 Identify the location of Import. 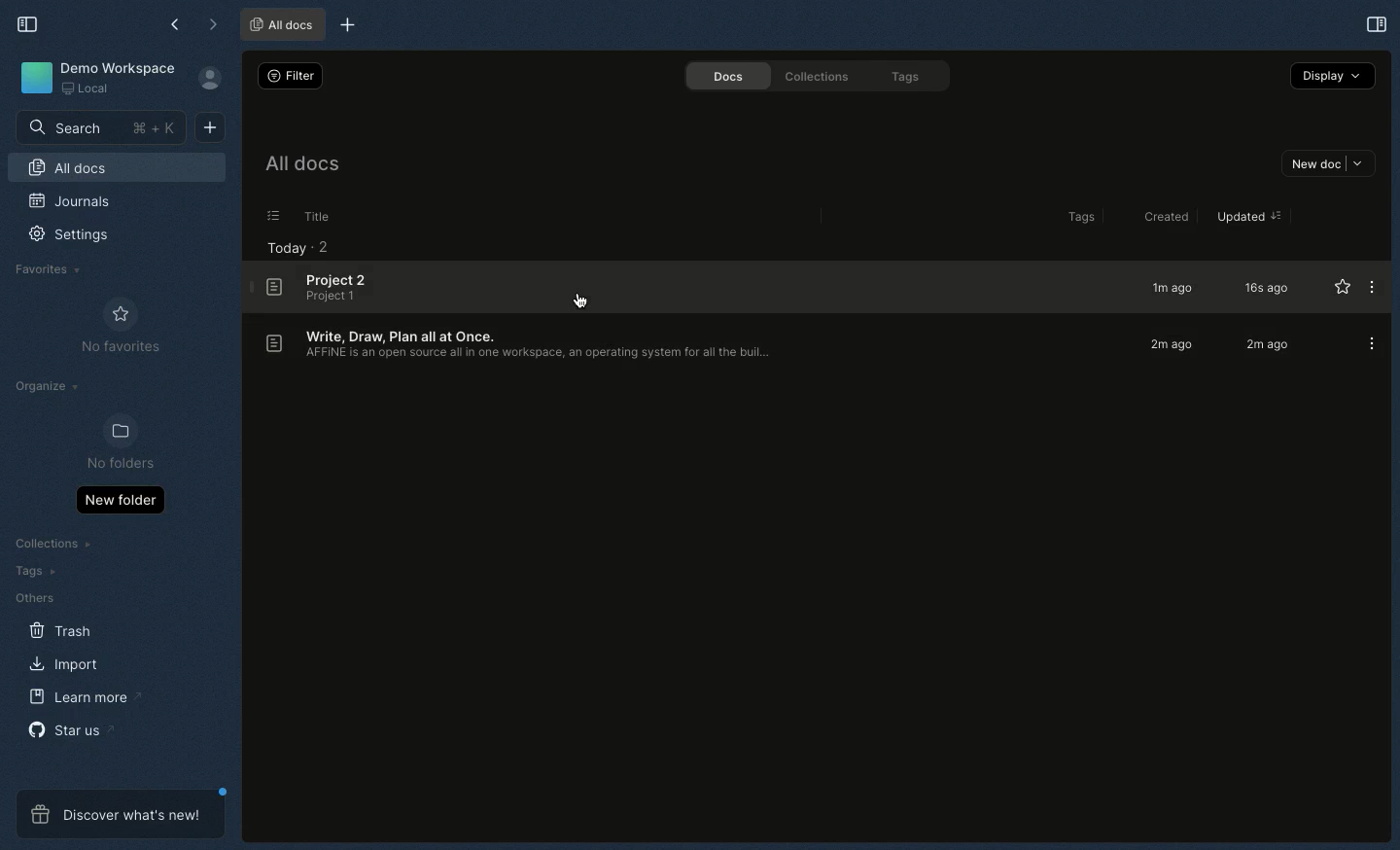
(60, 661).